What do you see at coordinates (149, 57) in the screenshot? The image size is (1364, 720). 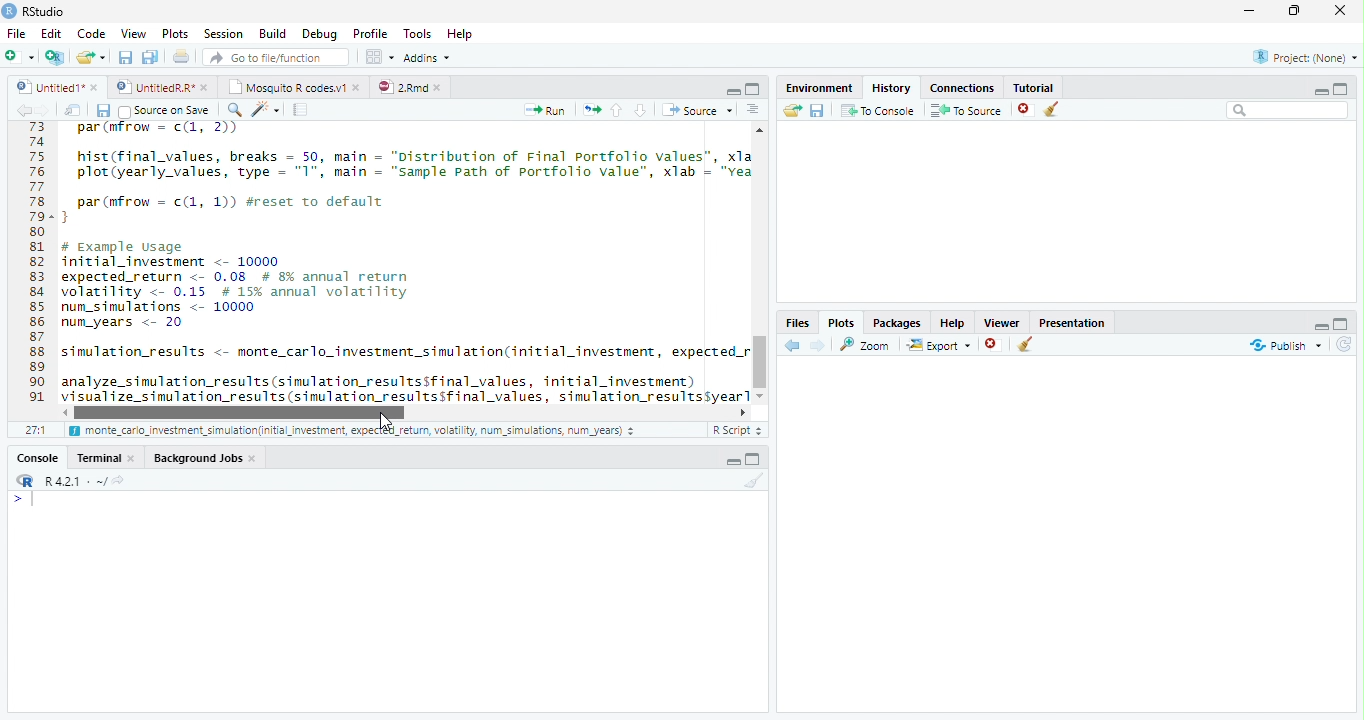 I see `Save all open files` at bounding box center [149, 57].